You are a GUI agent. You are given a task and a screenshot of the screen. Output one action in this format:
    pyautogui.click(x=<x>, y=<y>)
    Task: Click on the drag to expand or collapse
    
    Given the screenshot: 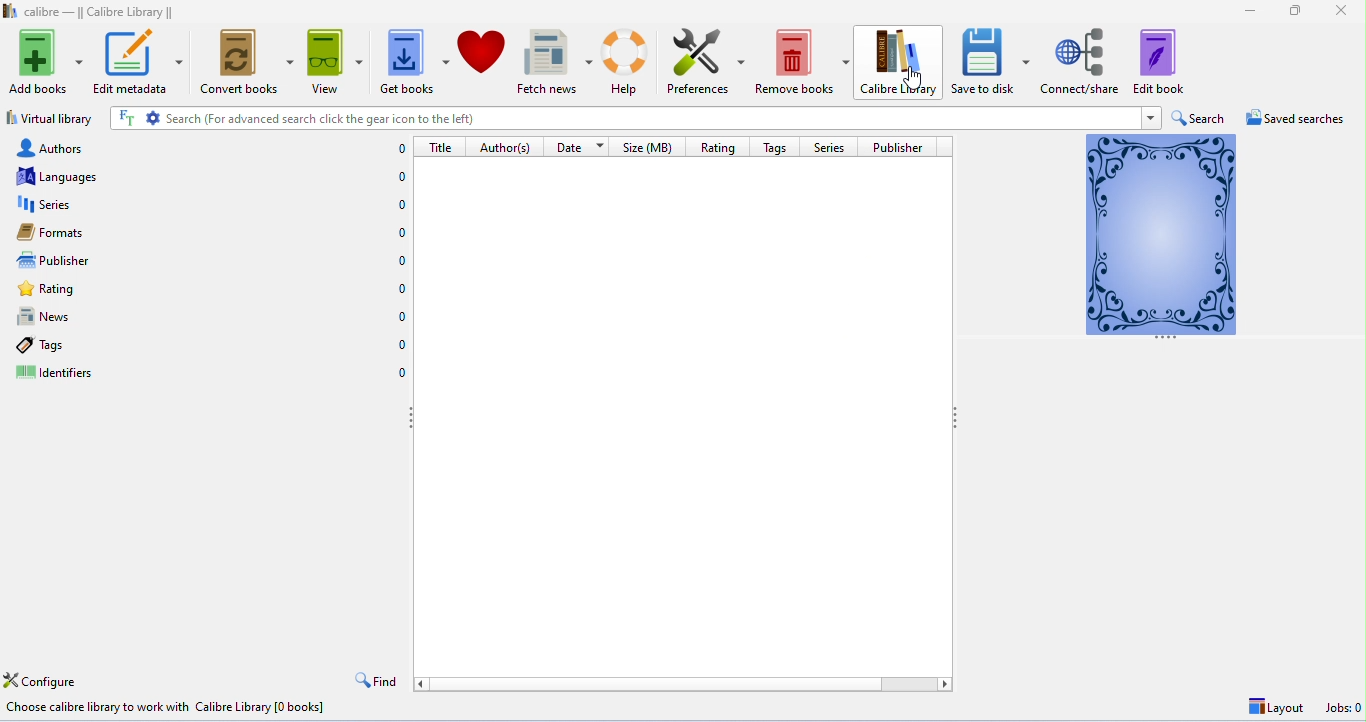 What is the action you would take?
    pyautogui.click(x=412, y=422)
    